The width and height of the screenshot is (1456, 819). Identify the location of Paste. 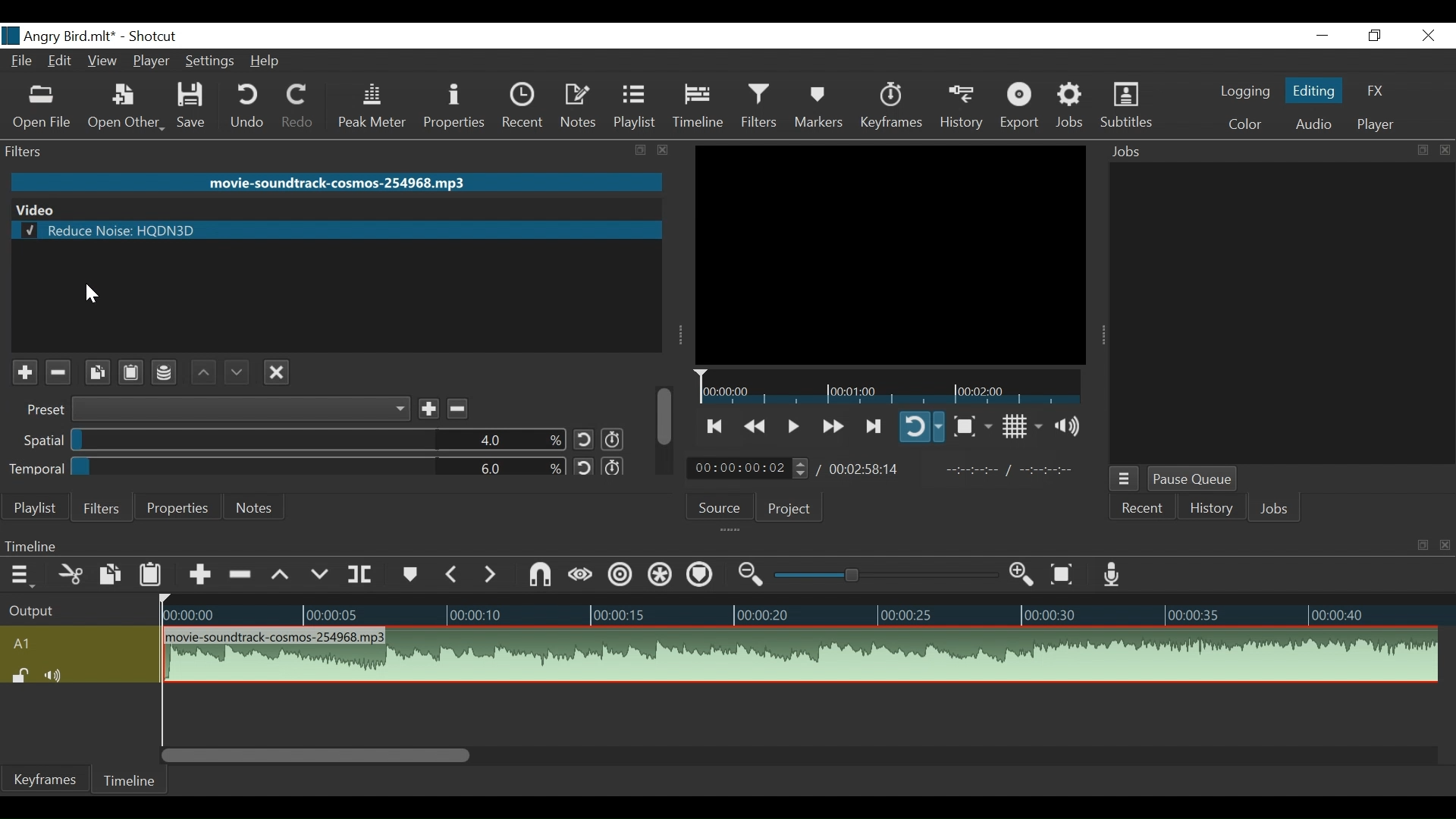
(152, 574).